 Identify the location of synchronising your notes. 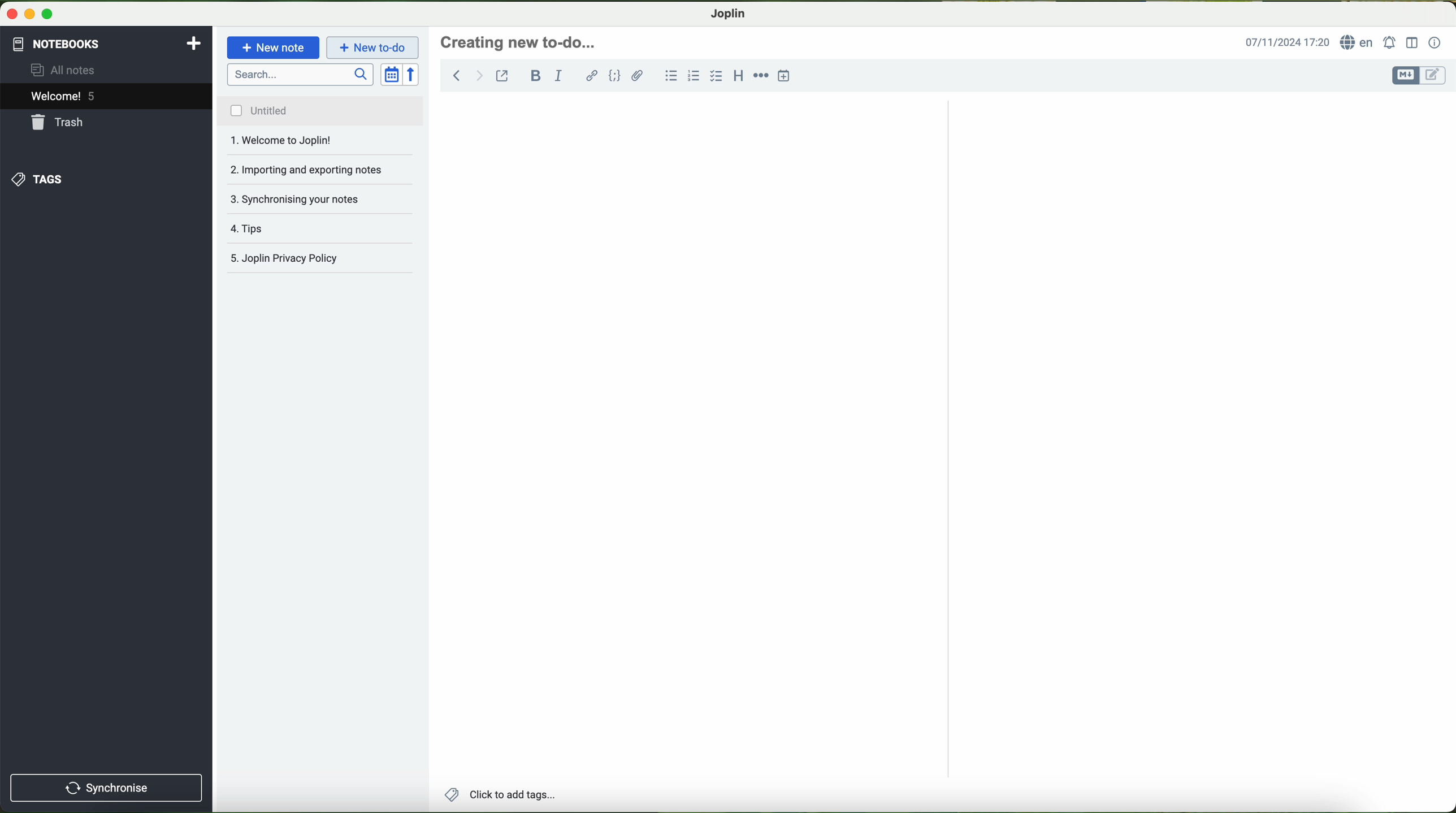
(321, 171).